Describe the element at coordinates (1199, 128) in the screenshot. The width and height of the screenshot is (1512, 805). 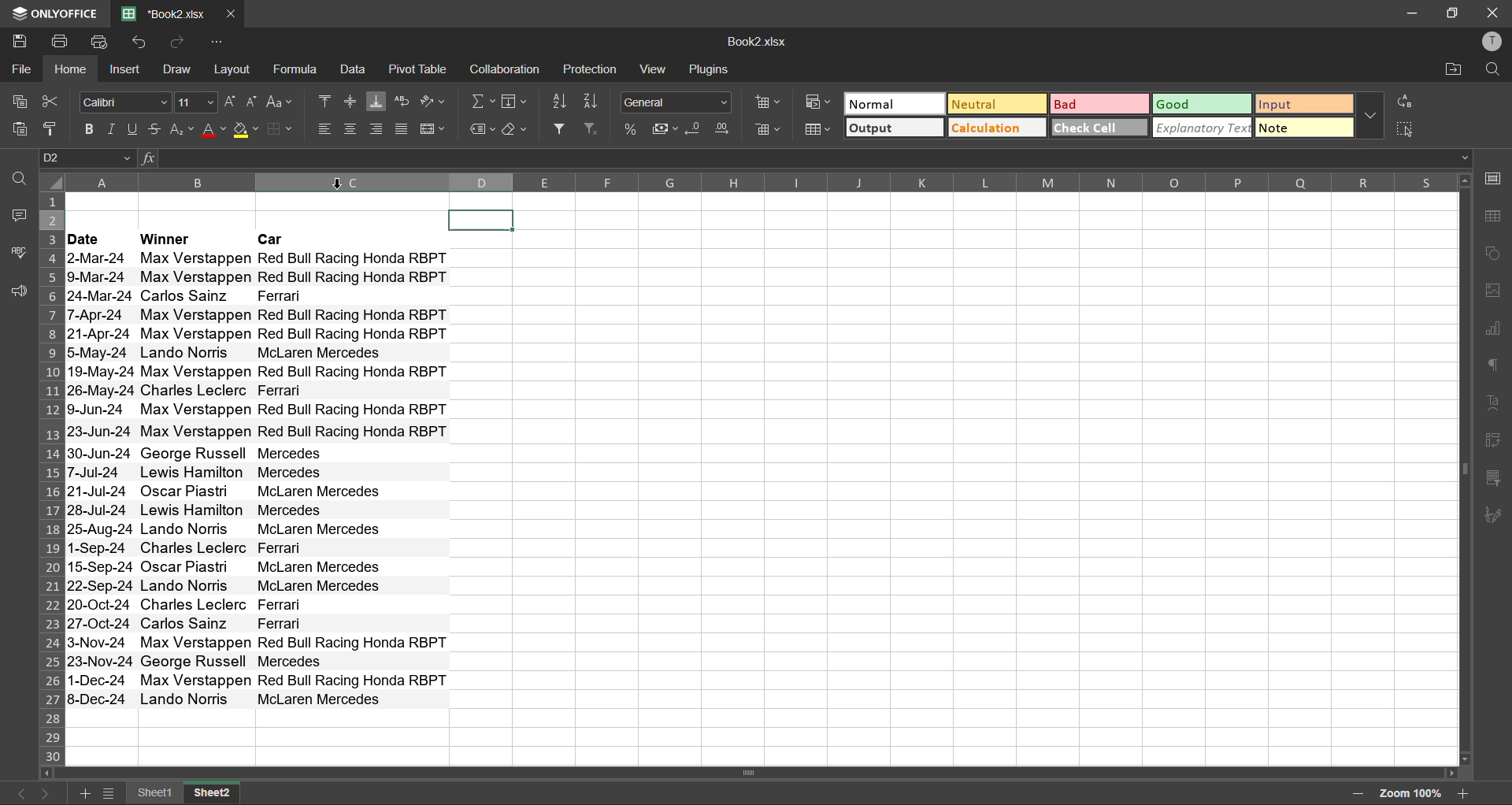
I see `explanatory text` at that location.